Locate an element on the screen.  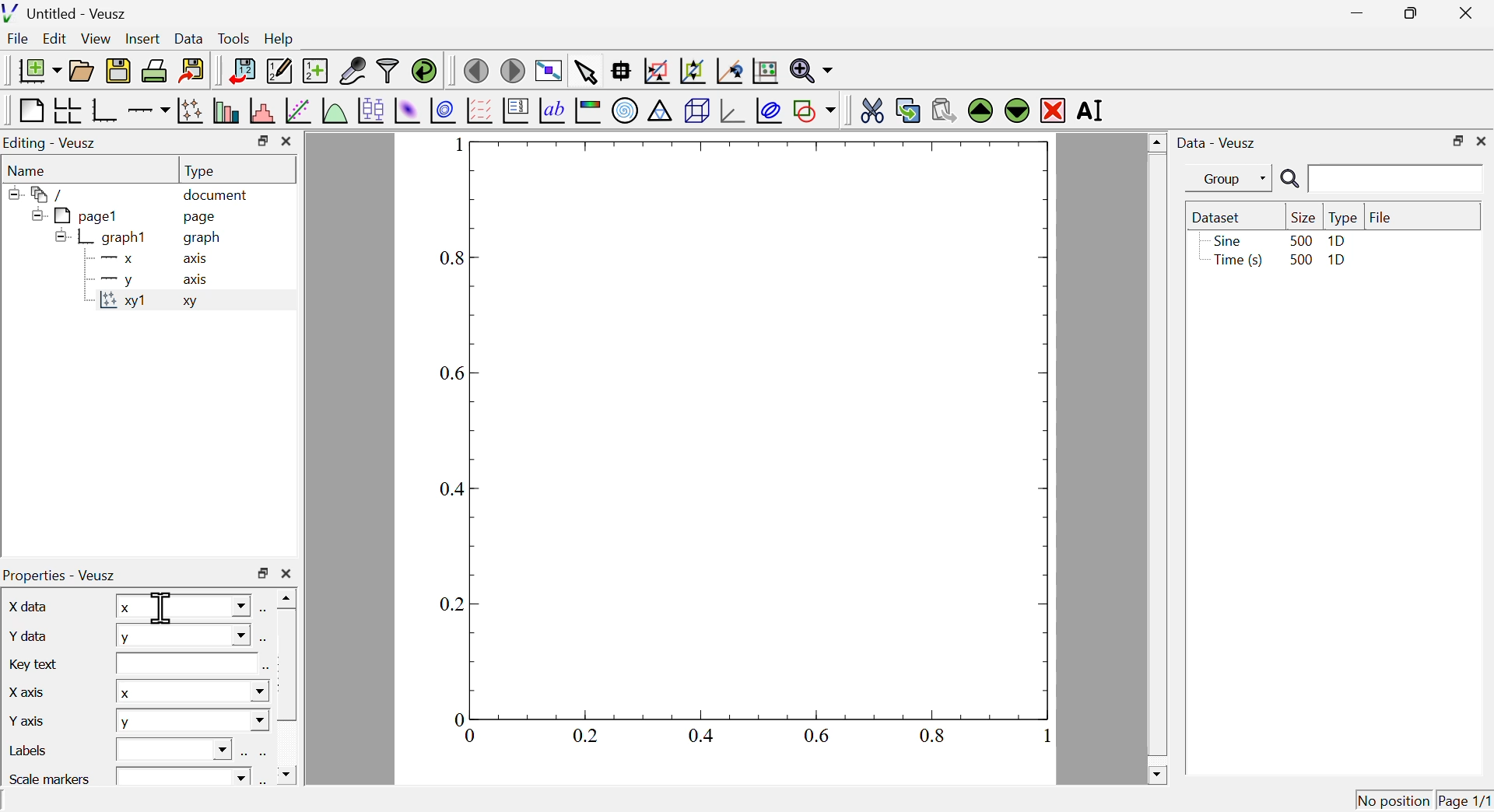
cursor is located at coordinates (161, 607).